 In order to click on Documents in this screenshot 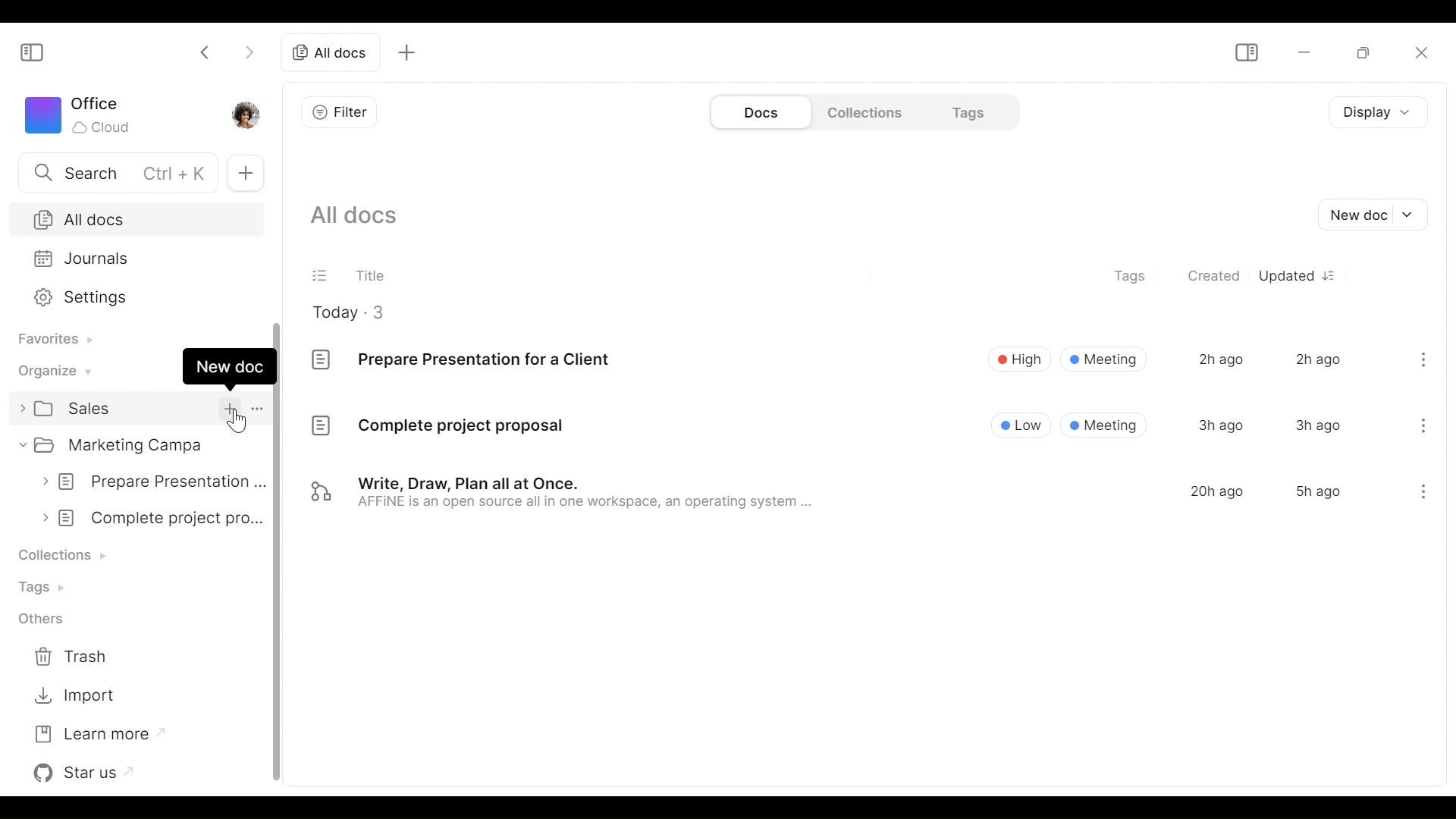, I will do `click(759, 112)`.